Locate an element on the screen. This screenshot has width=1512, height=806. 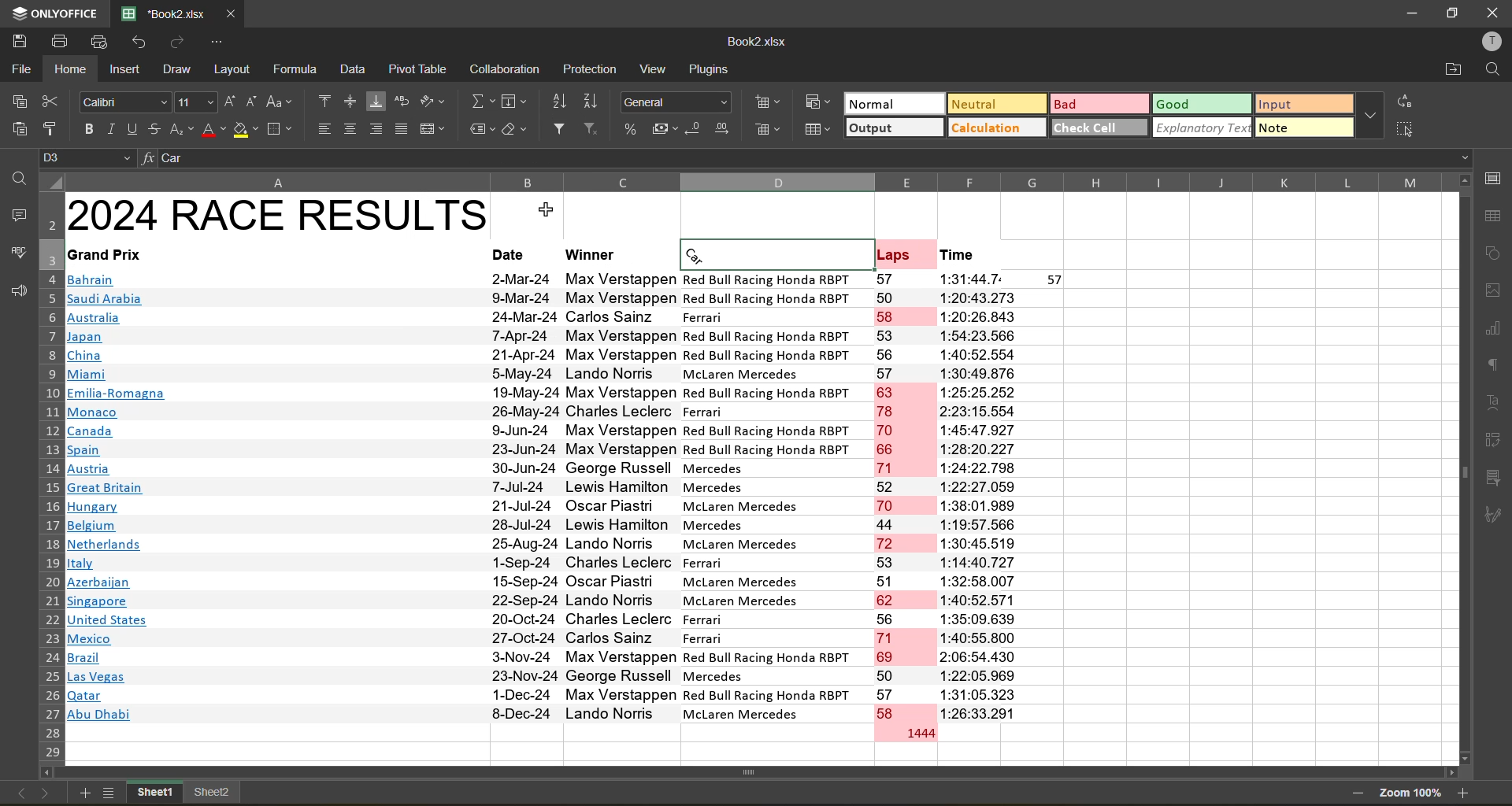
formula is located at coordinates (297, 72).